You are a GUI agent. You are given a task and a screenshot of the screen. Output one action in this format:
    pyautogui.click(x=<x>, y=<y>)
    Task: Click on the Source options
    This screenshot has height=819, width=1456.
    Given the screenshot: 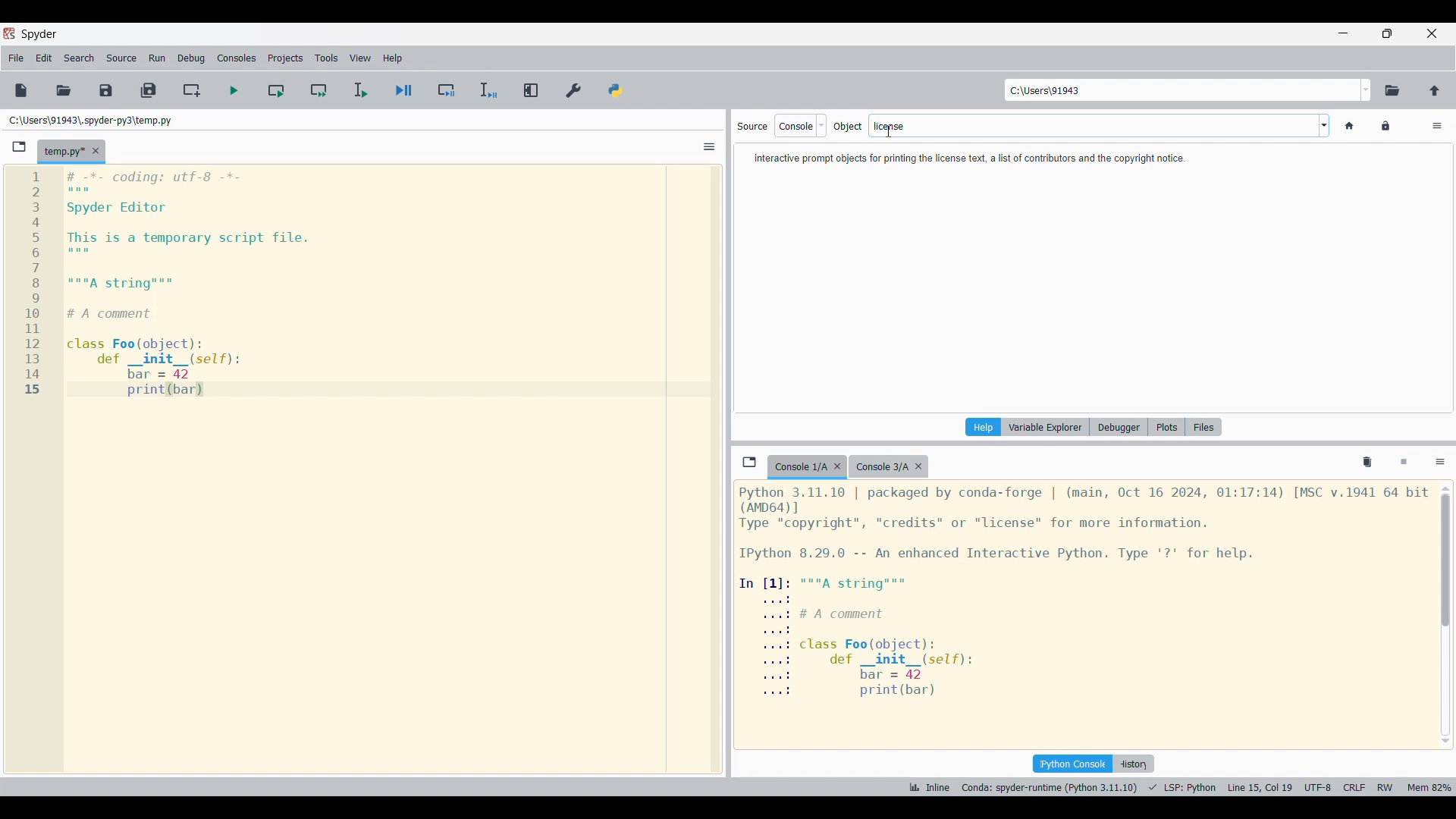 What is the action you would take?
    pyautogui.click(x=801, y=126)
    